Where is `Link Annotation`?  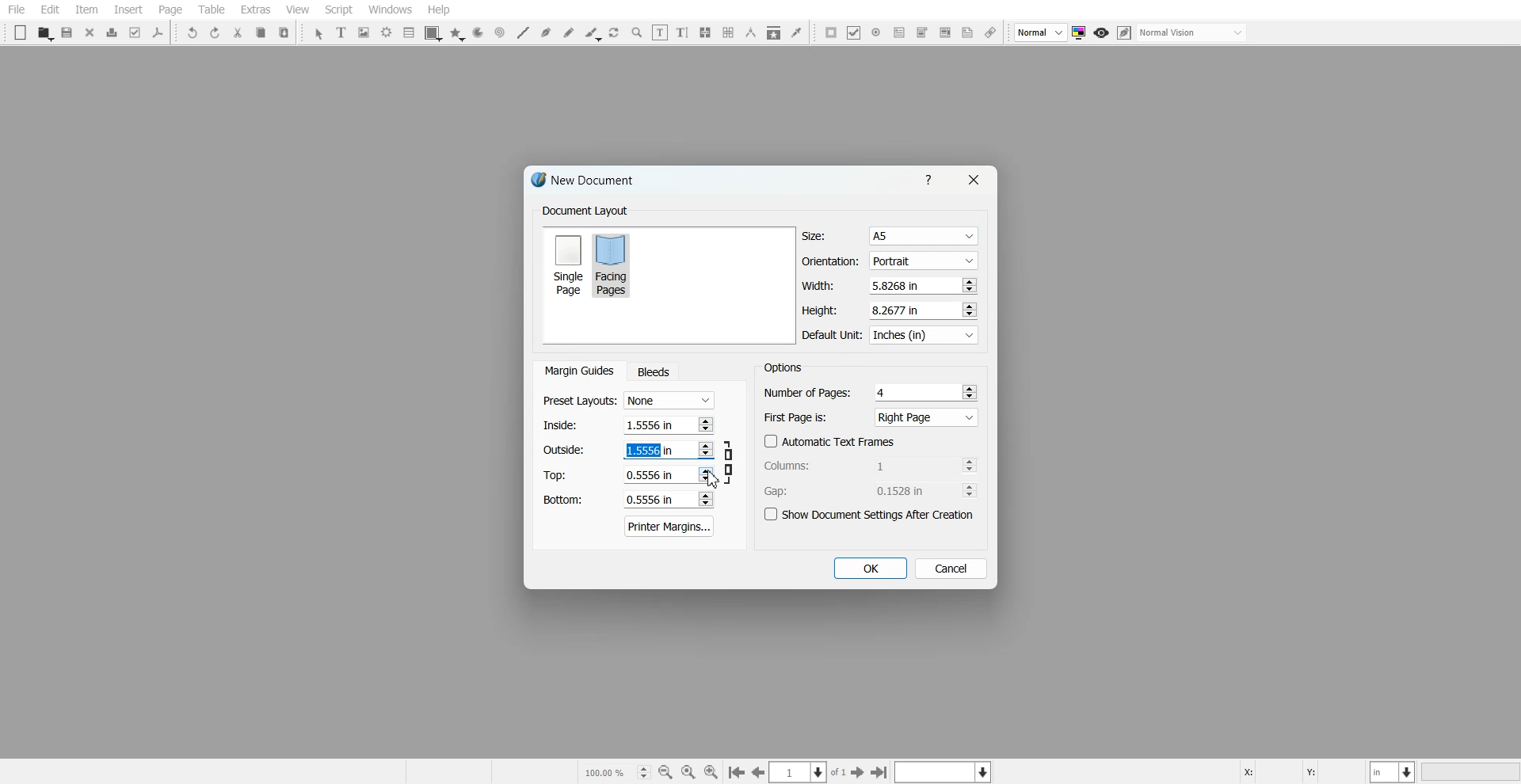
Link Annotation is located at coordinates (990, 33).